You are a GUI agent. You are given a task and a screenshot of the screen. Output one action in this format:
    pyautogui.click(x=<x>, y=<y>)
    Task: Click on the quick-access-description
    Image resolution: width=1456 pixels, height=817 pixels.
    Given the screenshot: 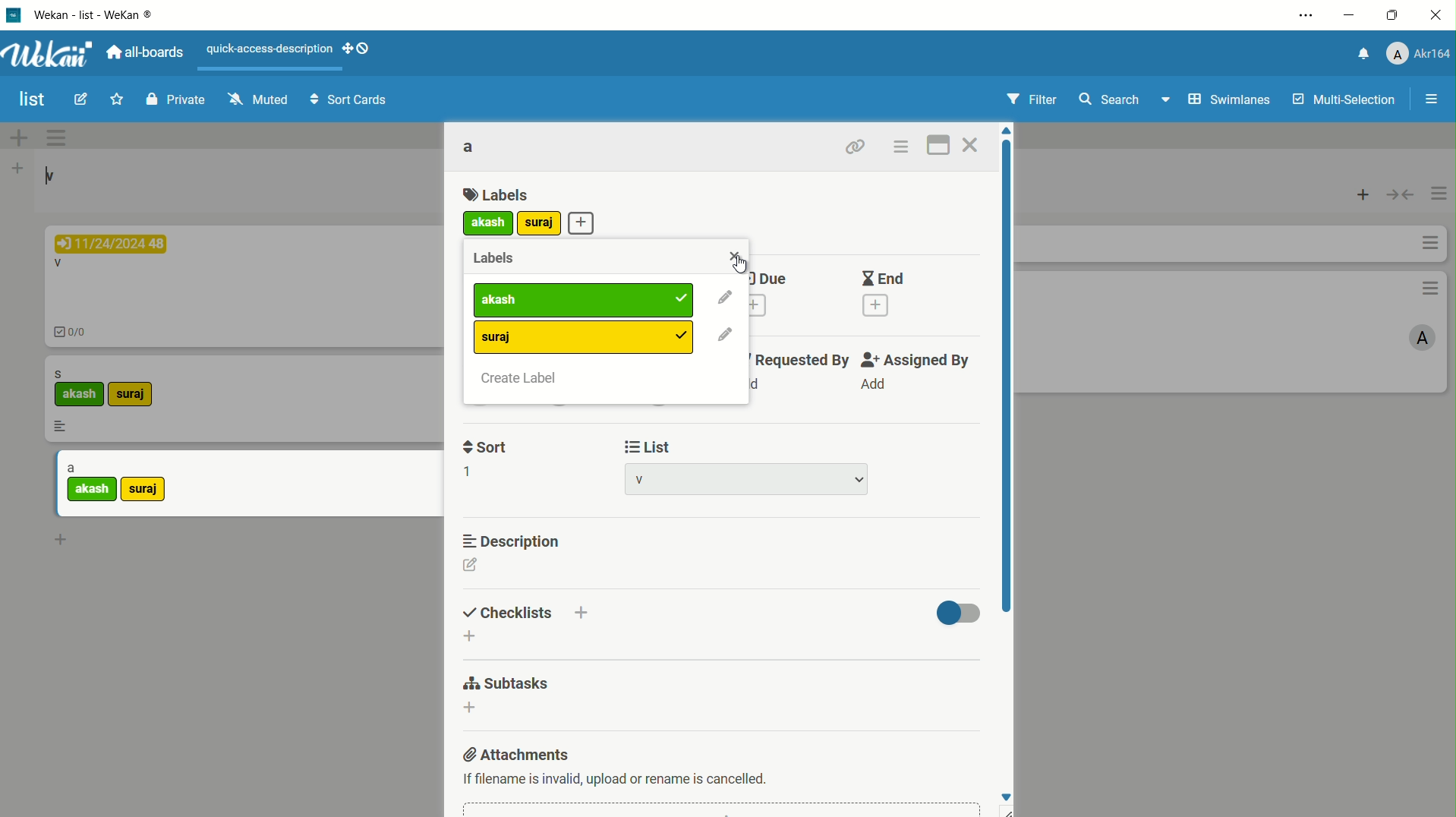 What is the action you would take?
    pyautogui.click(x=271, y=50)
    